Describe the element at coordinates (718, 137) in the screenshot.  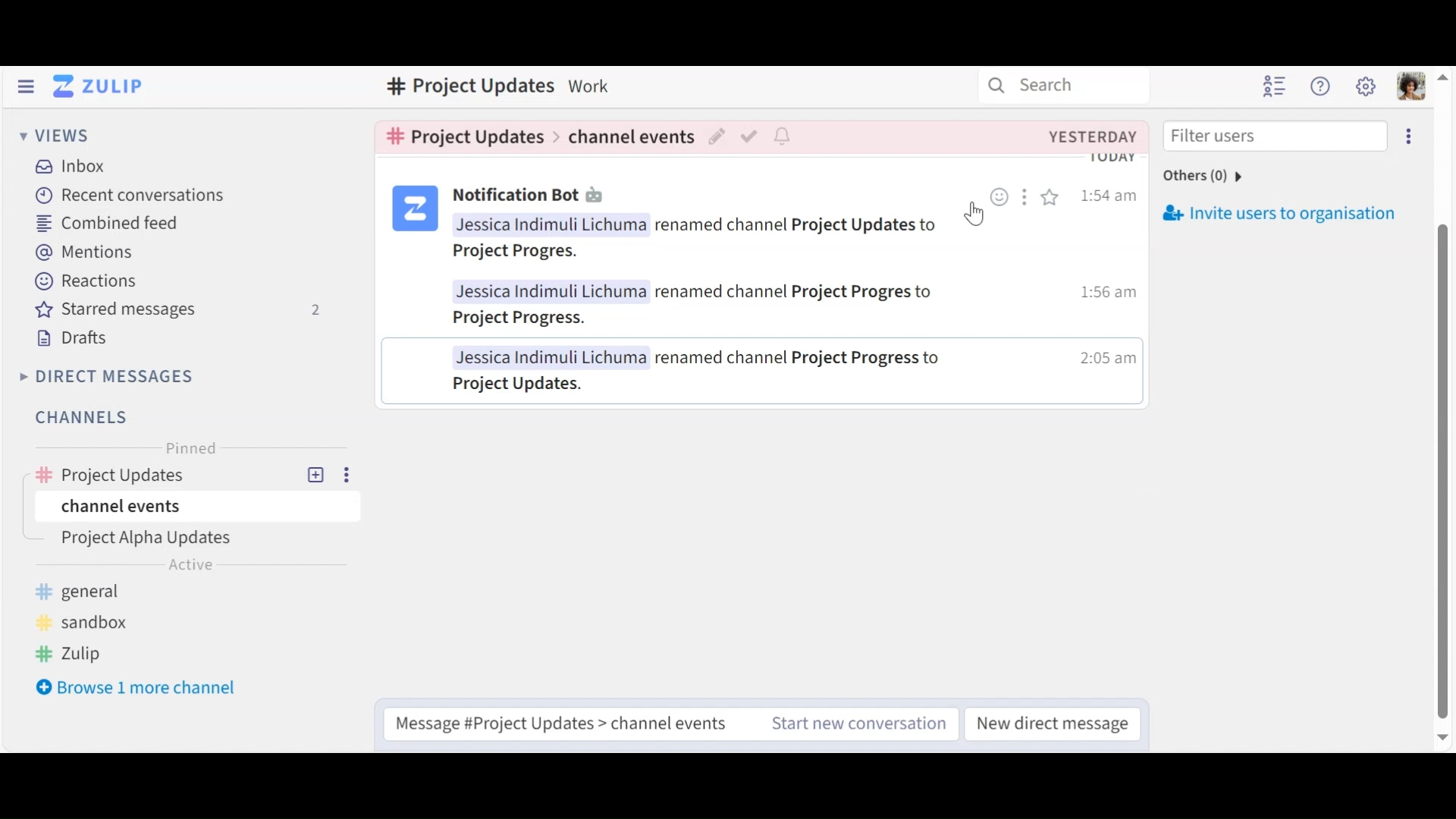
I see `Edit topic` at that location.